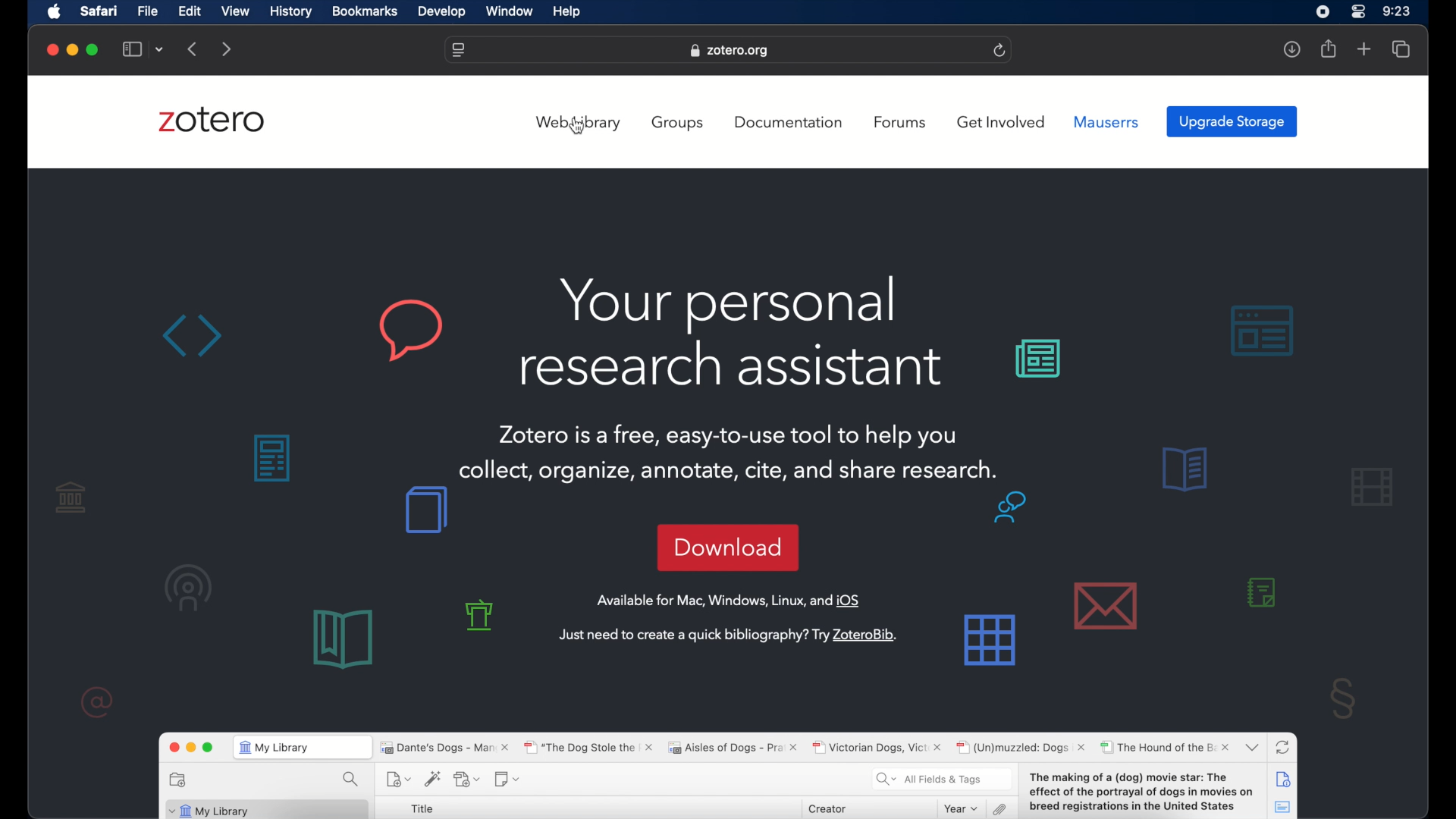 This screenshot has width=1456, height=819. I want to click on bookmarks, so click(365, 11).